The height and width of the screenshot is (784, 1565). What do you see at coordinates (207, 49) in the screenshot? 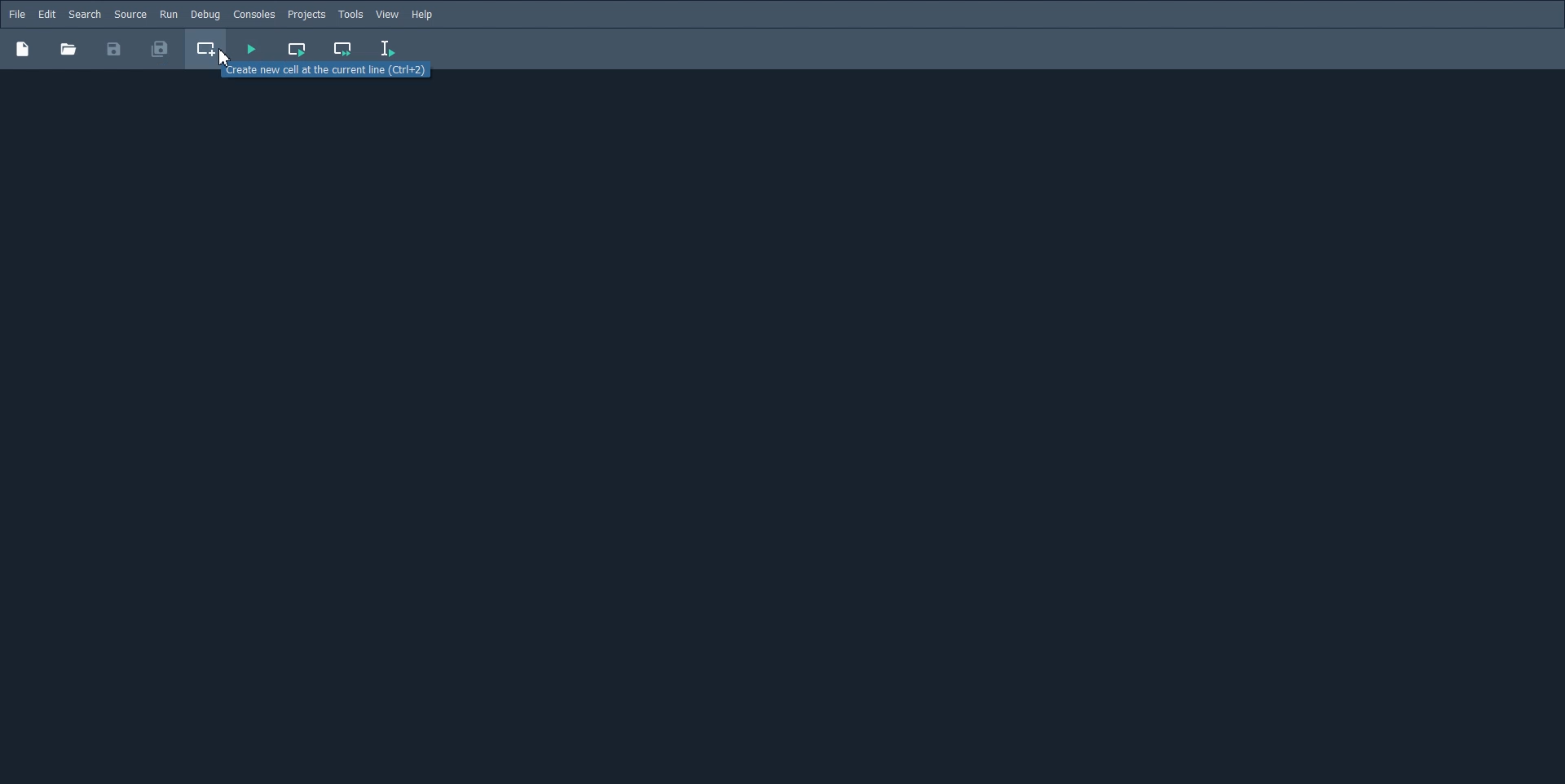
I see `Create new cell` at bounding box center [207, 49].